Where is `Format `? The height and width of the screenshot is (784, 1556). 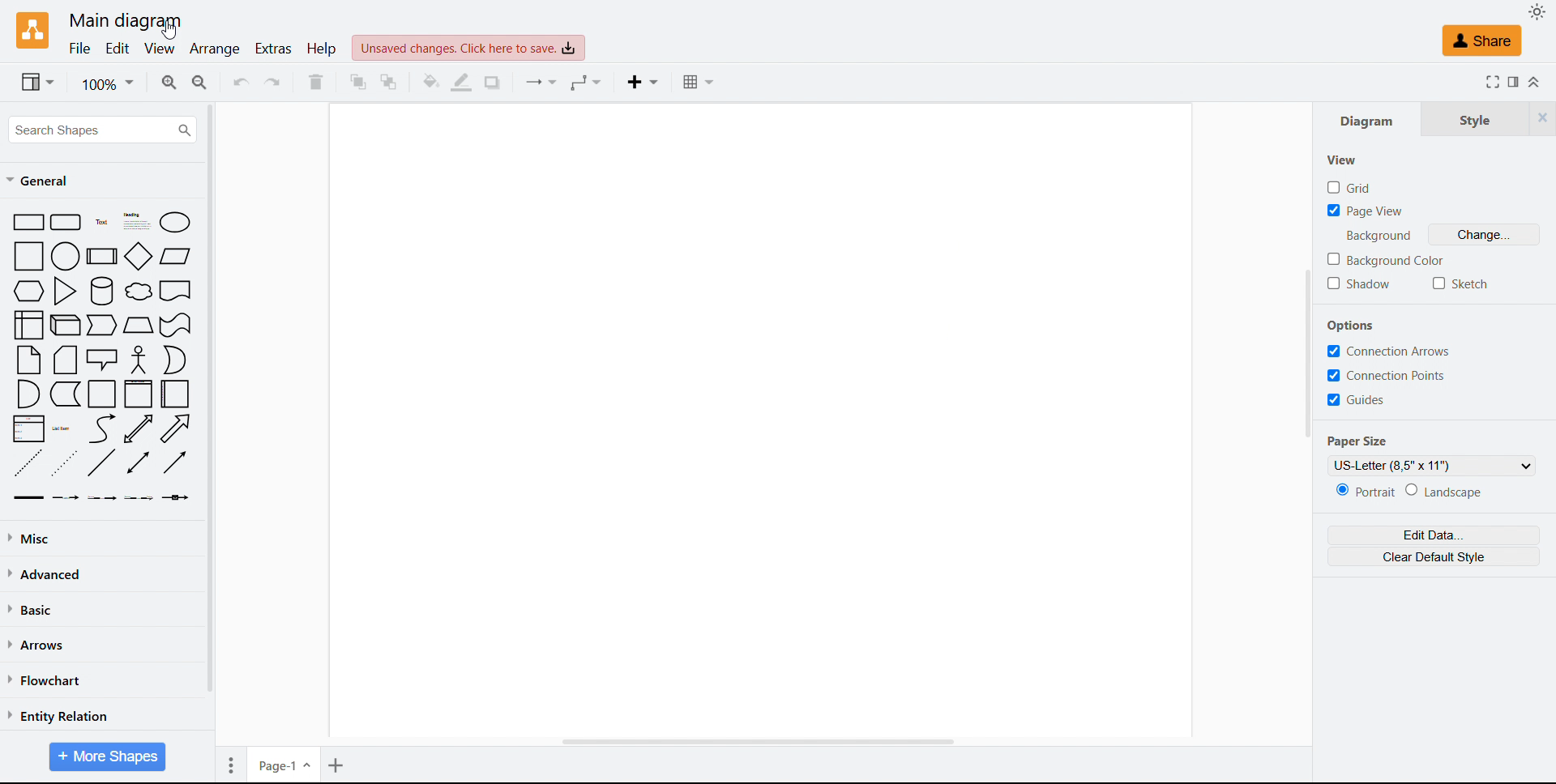 Format  is located at coordinates (1515, 82).